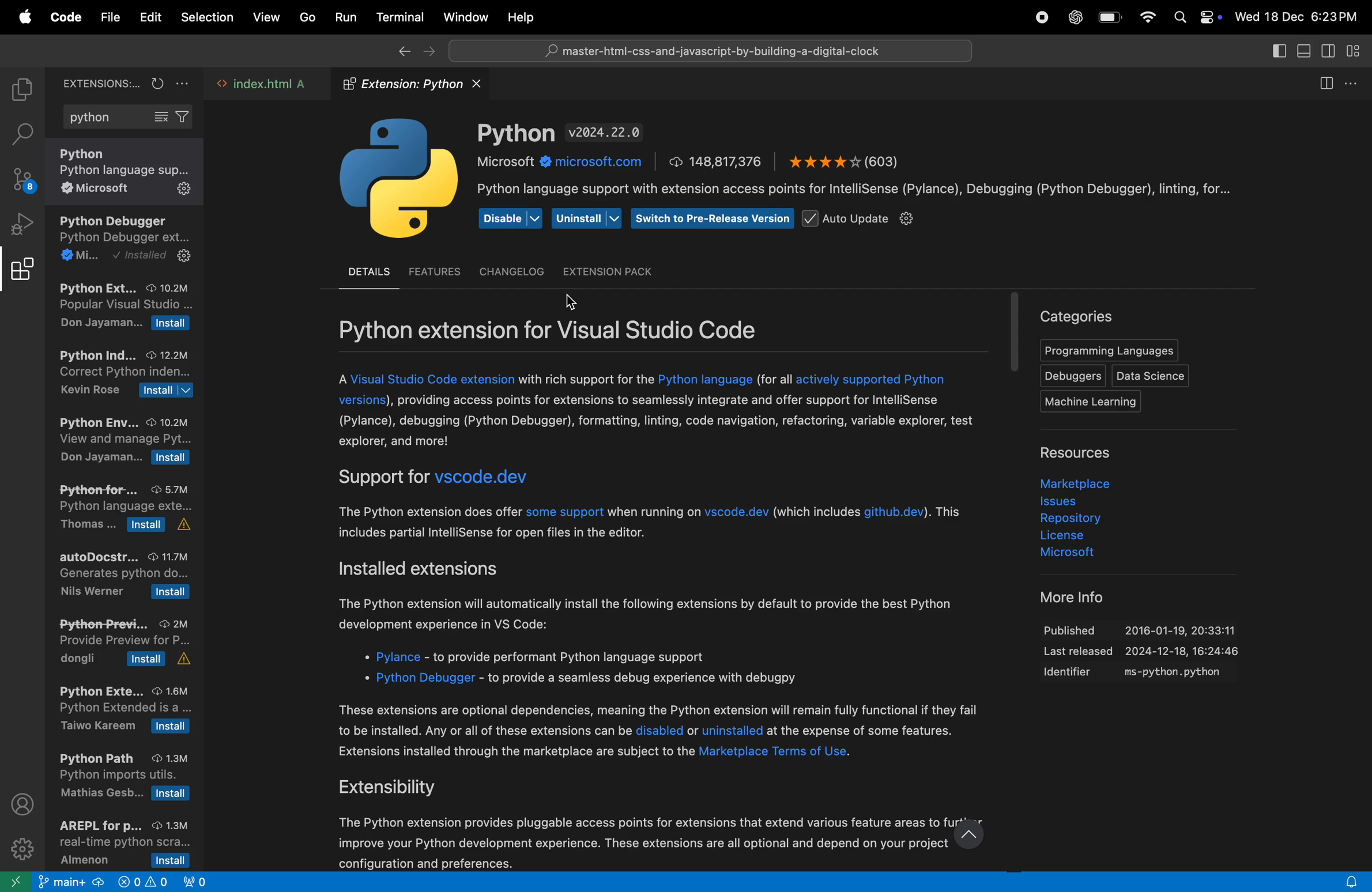 The height and width of the screenshot is (892, 1372). Describe the element at coordinates (129, 173) in the screenshot. I see `python extension` at that location.